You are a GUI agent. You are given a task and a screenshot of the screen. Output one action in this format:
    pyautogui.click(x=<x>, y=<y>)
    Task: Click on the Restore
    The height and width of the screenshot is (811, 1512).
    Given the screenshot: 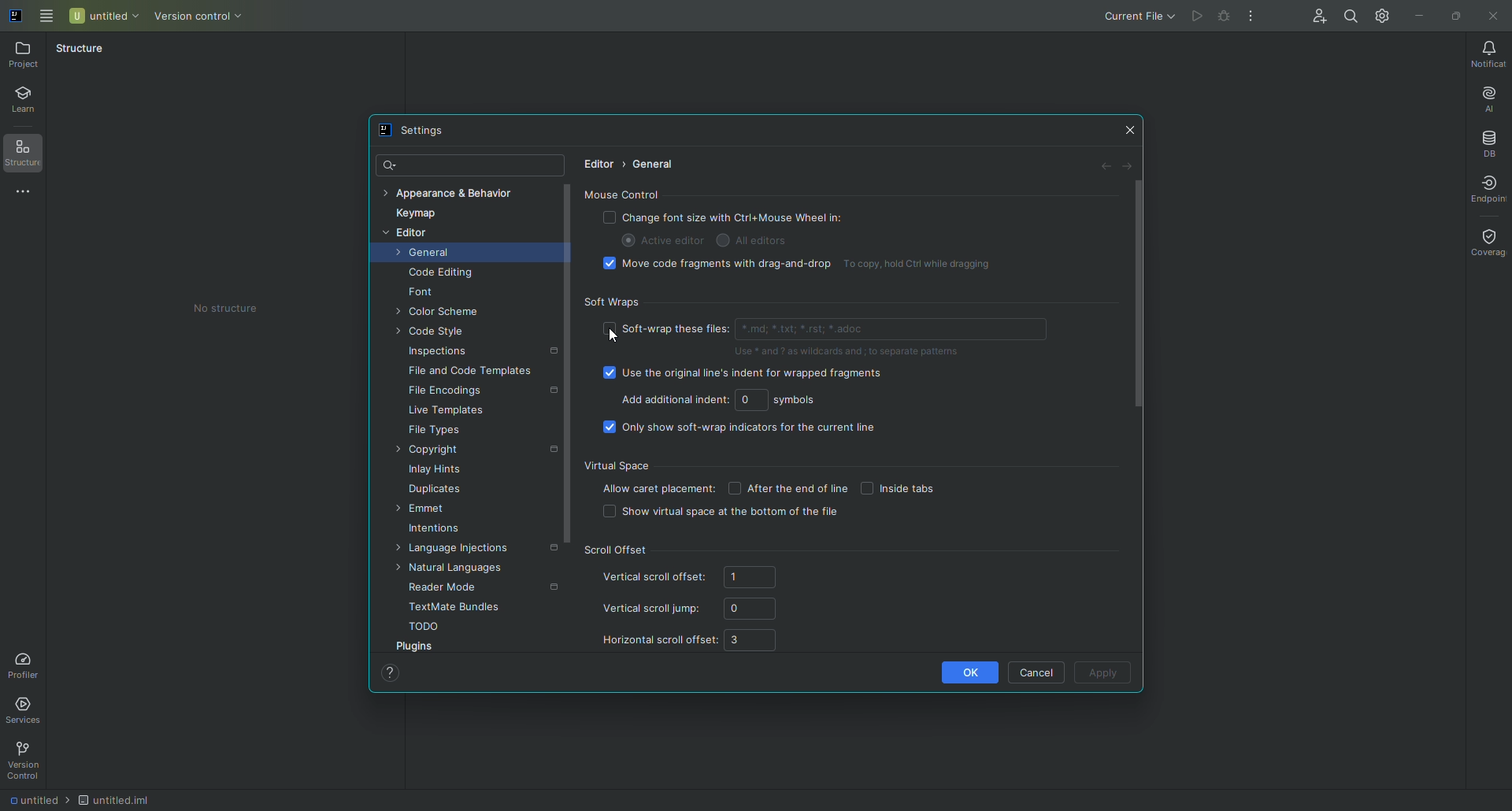 What is the action you would take?
    pyautogui.click(x=1454, y=15)
    